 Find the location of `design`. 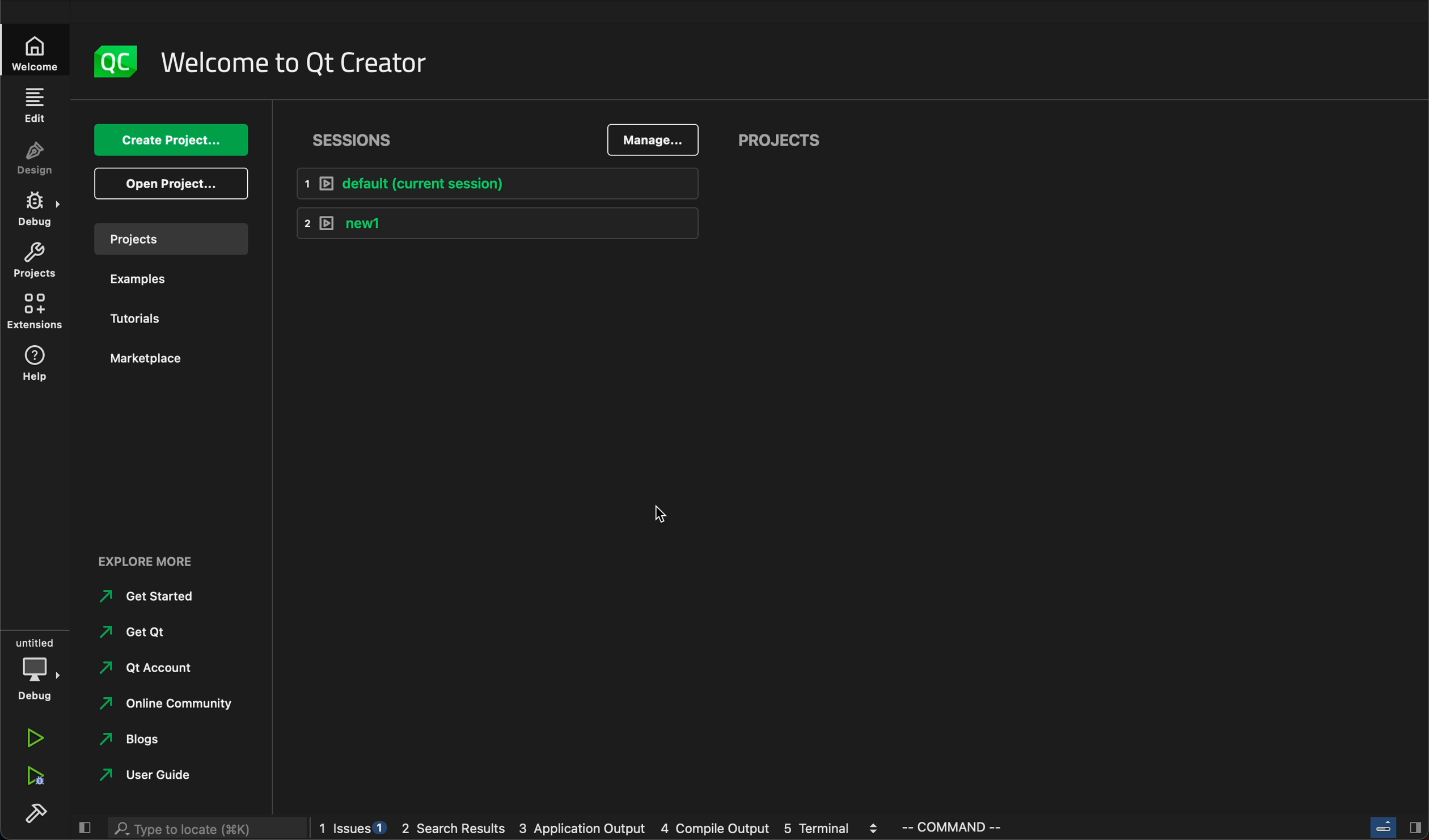

design is located at coordinates (36, 159).